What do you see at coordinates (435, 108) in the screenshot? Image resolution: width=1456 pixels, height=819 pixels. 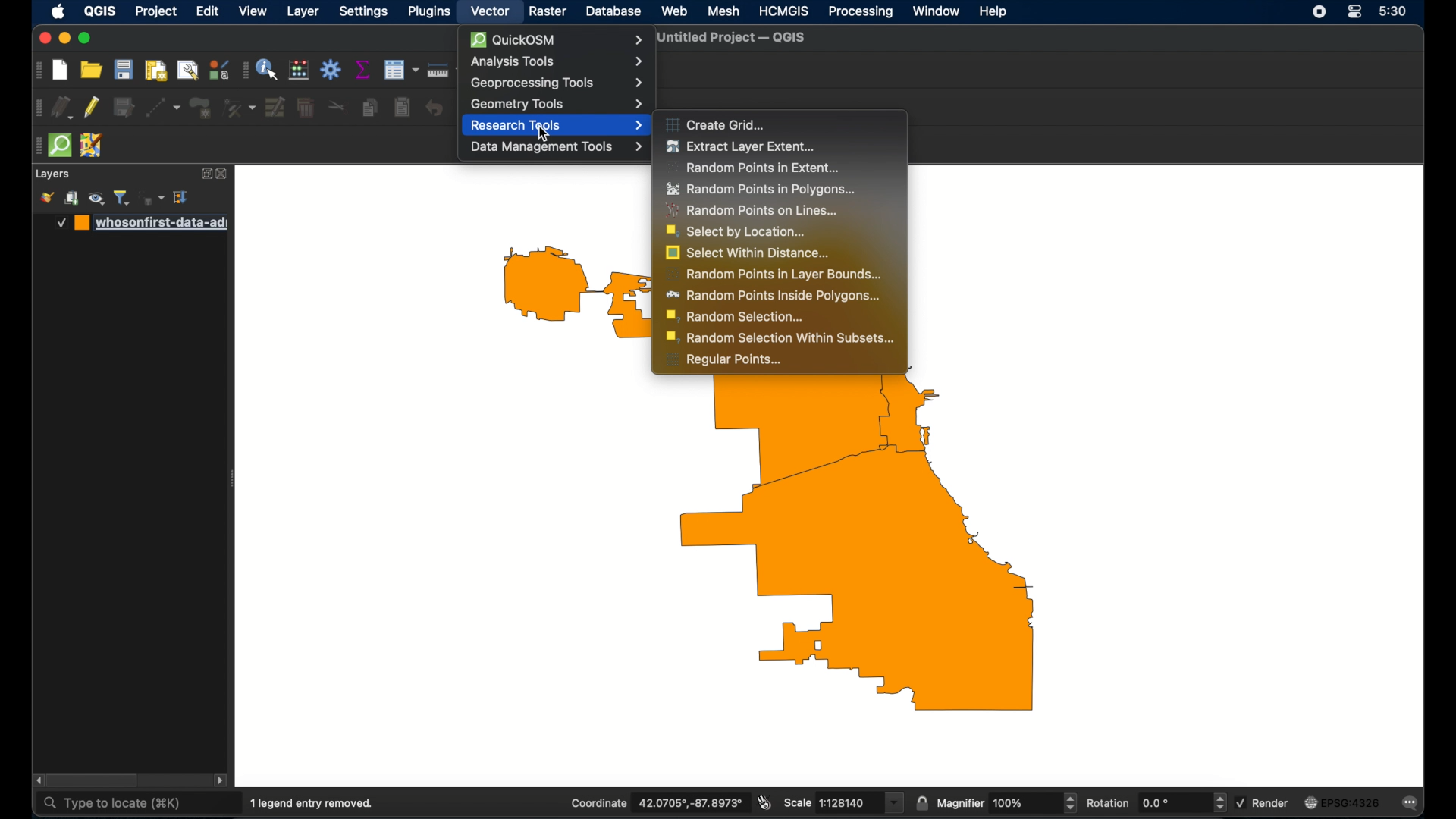 I see `undo` at bounding box center [435, 108].